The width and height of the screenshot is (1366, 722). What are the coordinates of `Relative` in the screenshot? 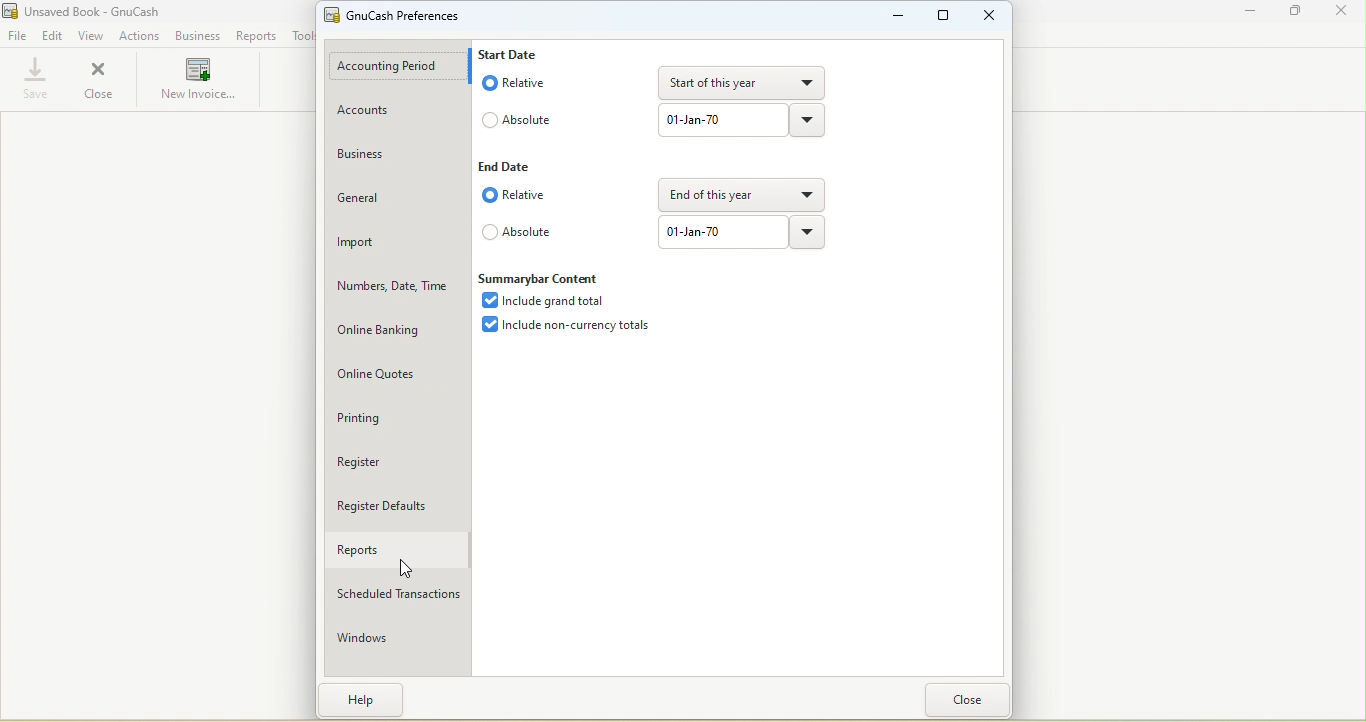 It's located at (518, 192).